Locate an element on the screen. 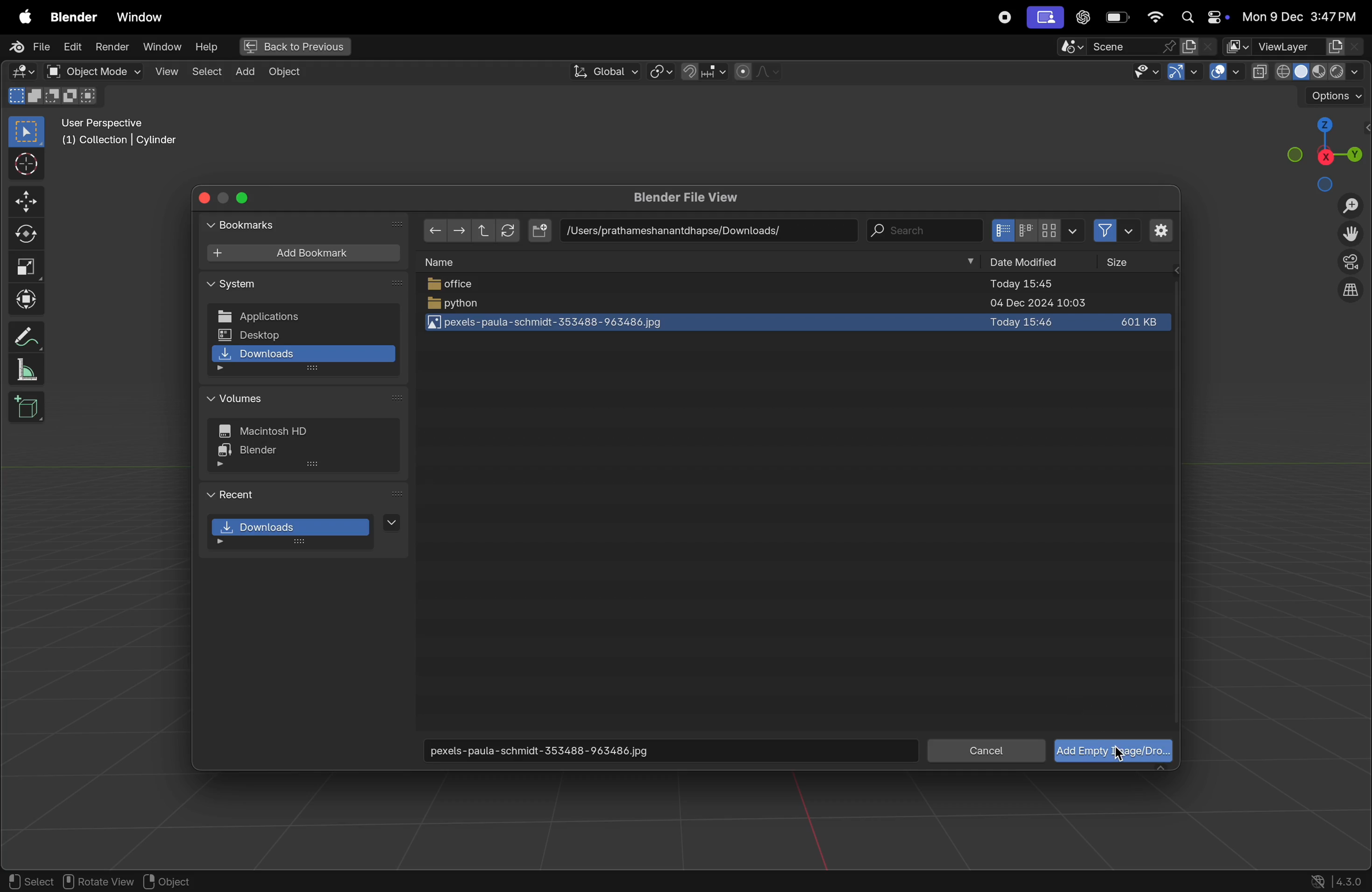 Image resolution: width=1372 pixels, height=892 pixels. path is located at coordinates (703, 229).